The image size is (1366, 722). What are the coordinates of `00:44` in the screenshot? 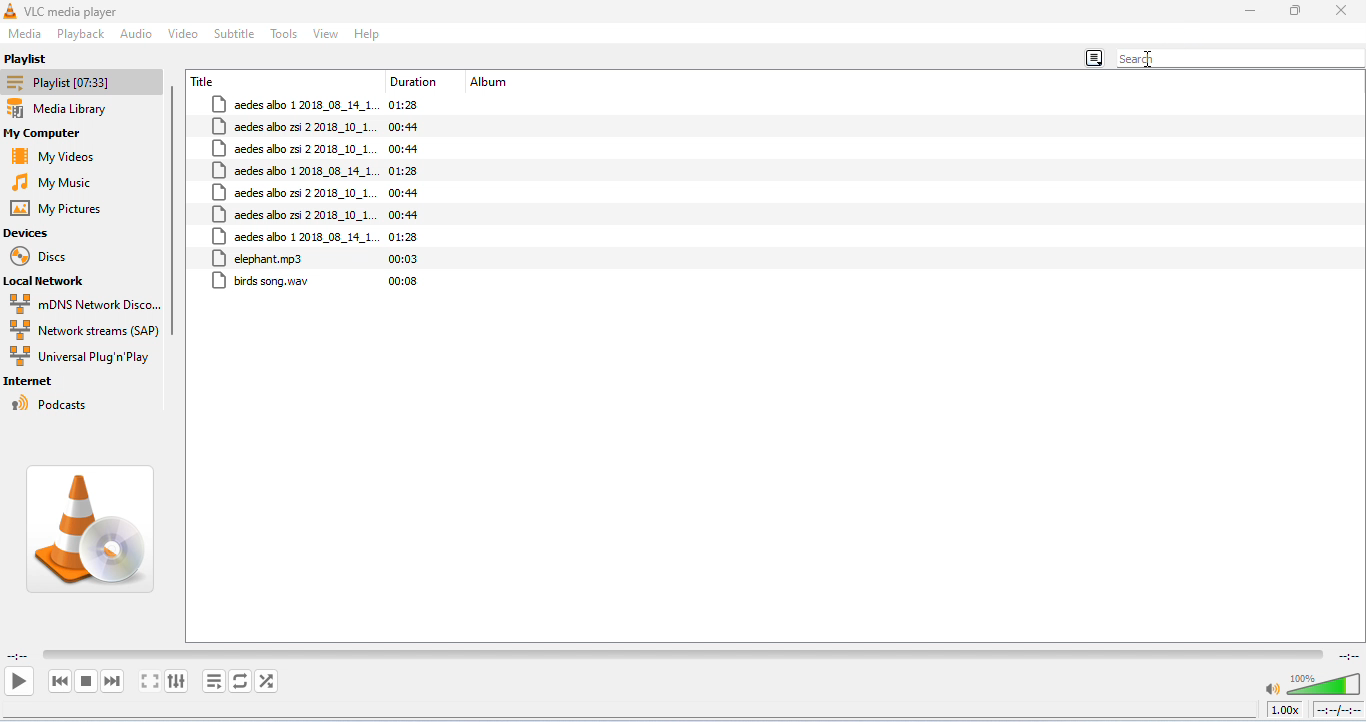 It's located at (403, 150).